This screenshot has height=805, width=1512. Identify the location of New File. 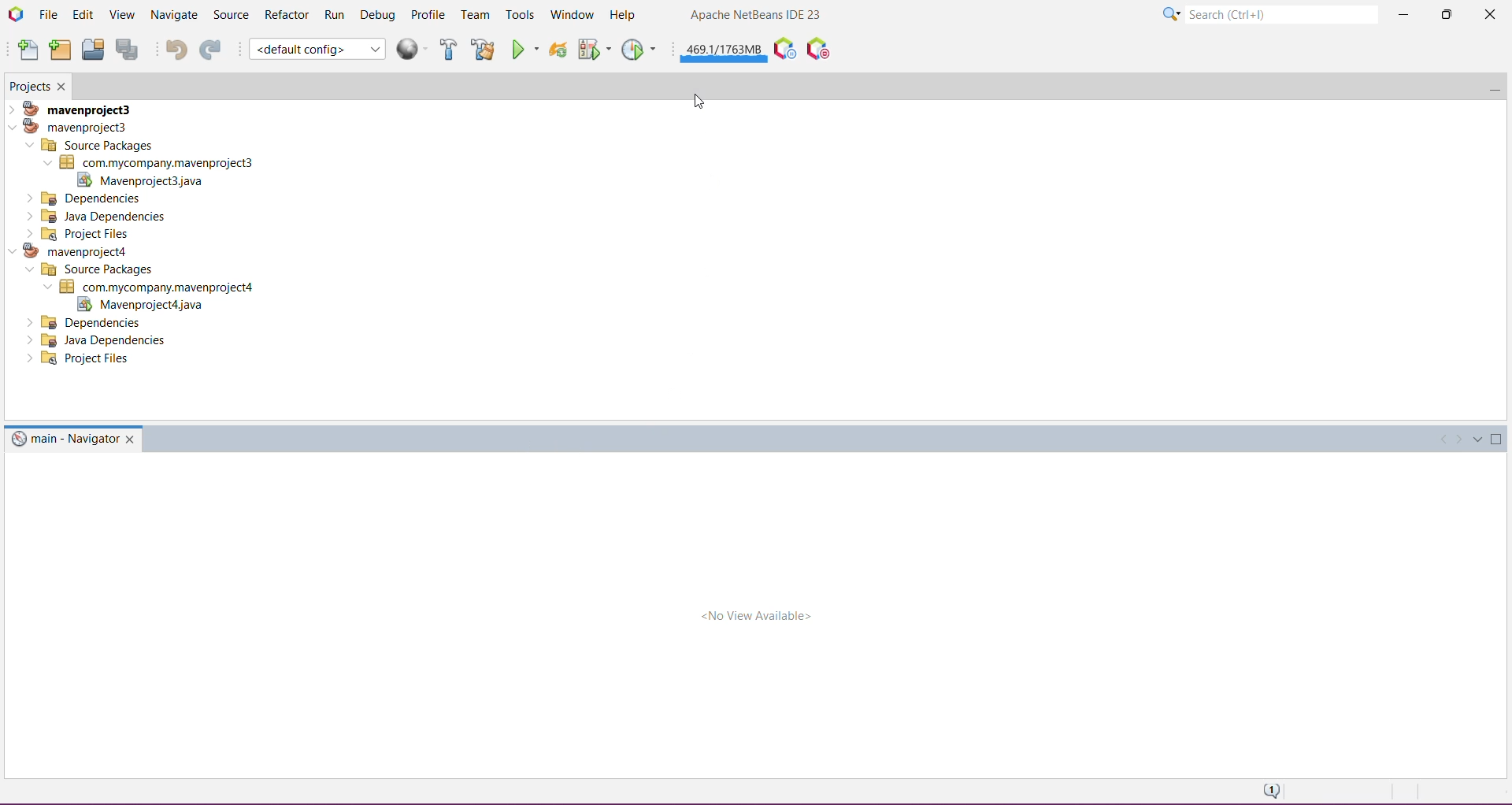
(27, 50).